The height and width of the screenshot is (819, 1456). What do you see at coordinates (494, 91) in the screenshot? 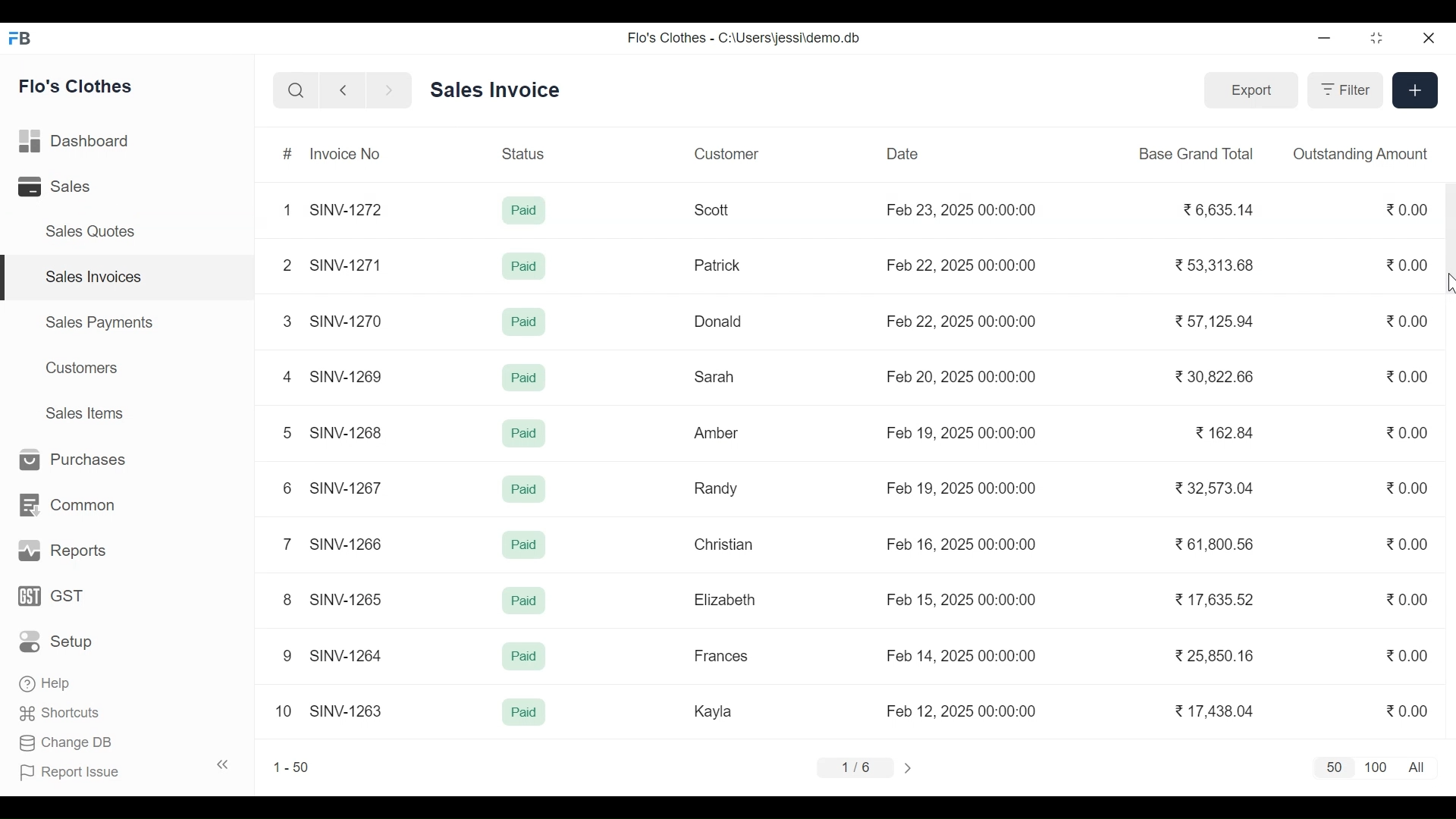
I see `Sales Invoice` at bounding box center [494, 91].